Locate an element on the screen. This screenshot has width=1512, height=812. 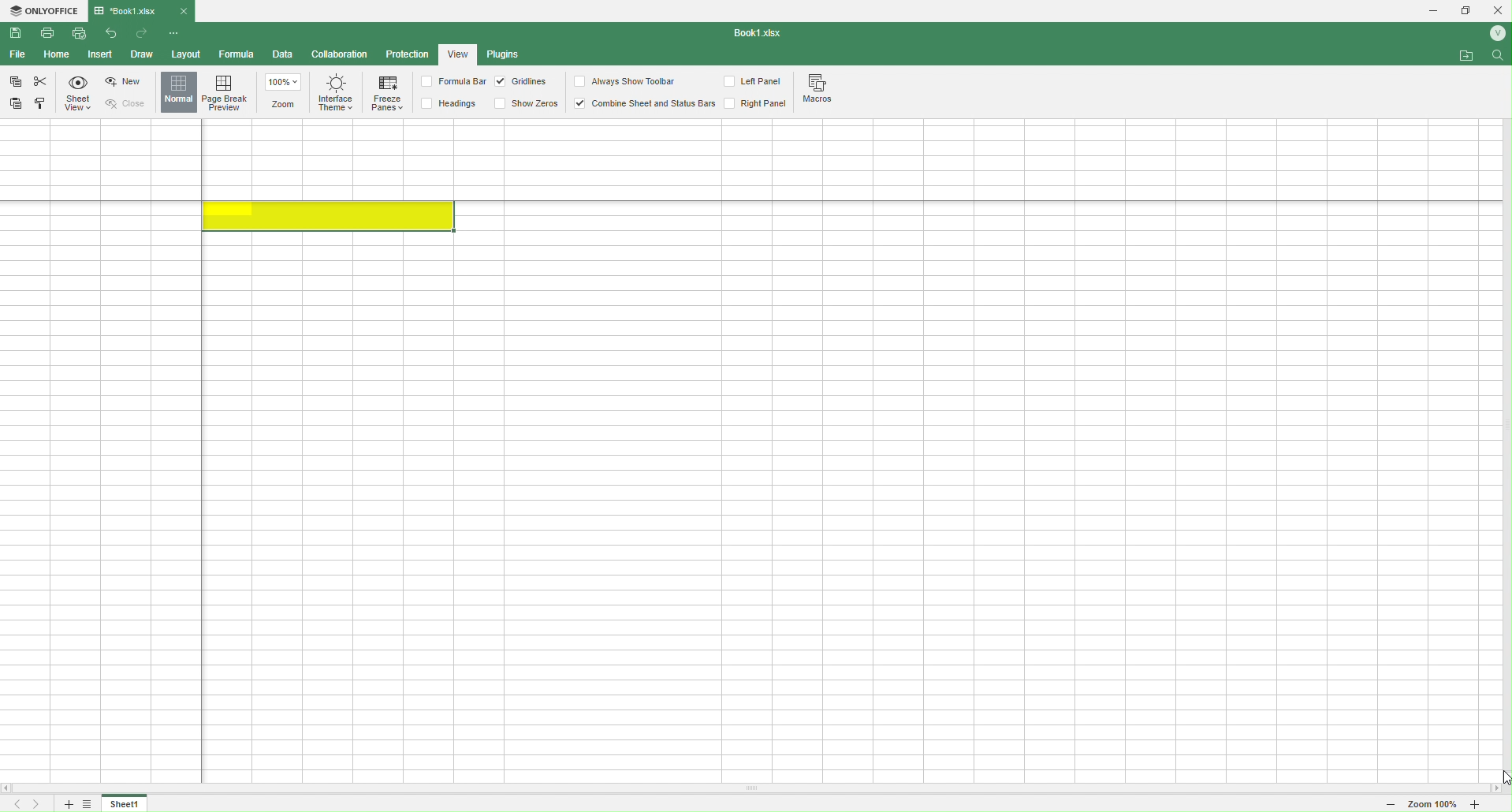
Show zeros is located at coordinates (527, 102).